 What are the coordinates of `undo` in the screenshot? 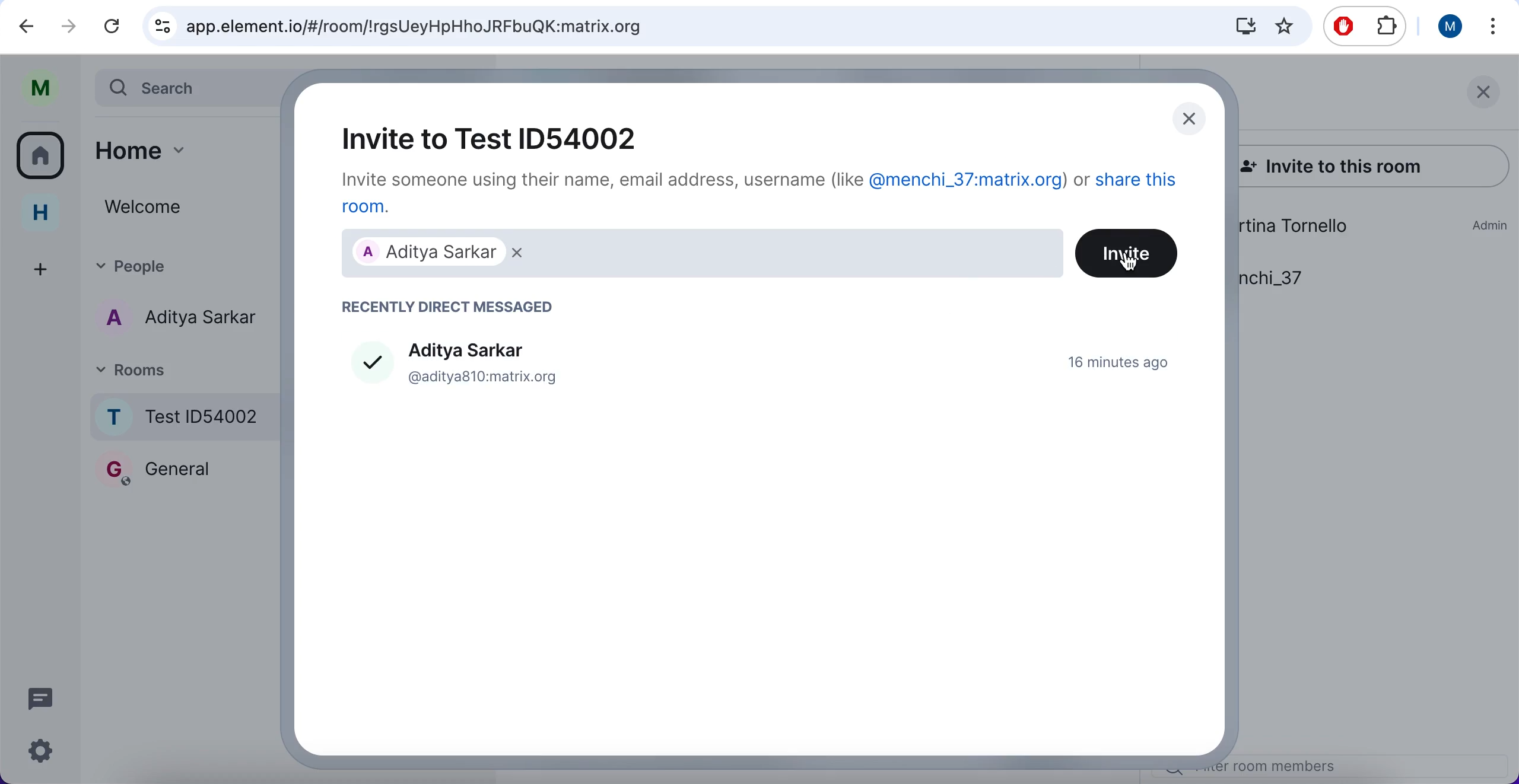 It's located at (31, 28).